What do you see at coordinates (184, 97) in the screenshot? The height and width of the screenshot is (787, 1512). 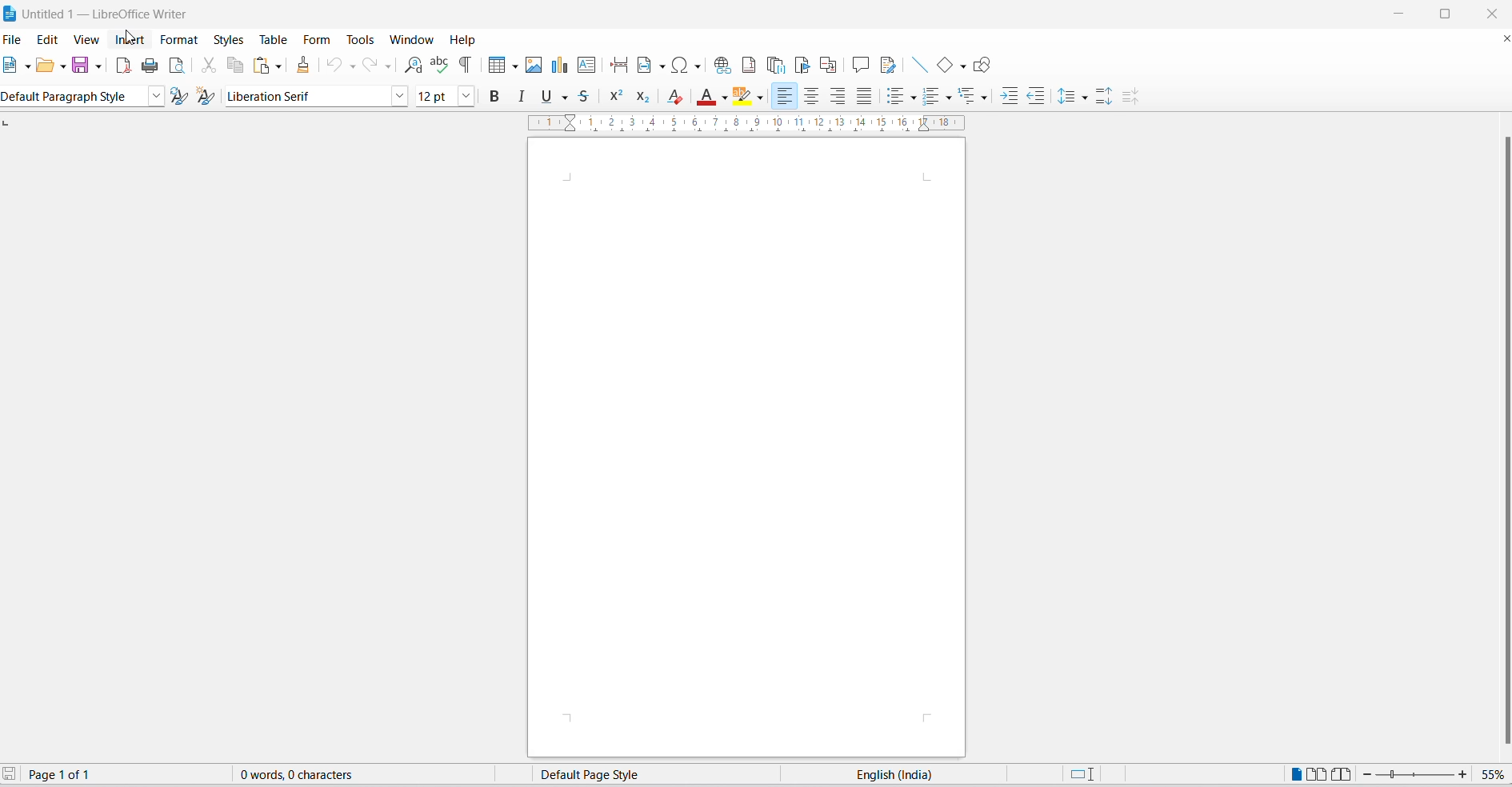 I see `update selected style` at bounding box center [184, 97].